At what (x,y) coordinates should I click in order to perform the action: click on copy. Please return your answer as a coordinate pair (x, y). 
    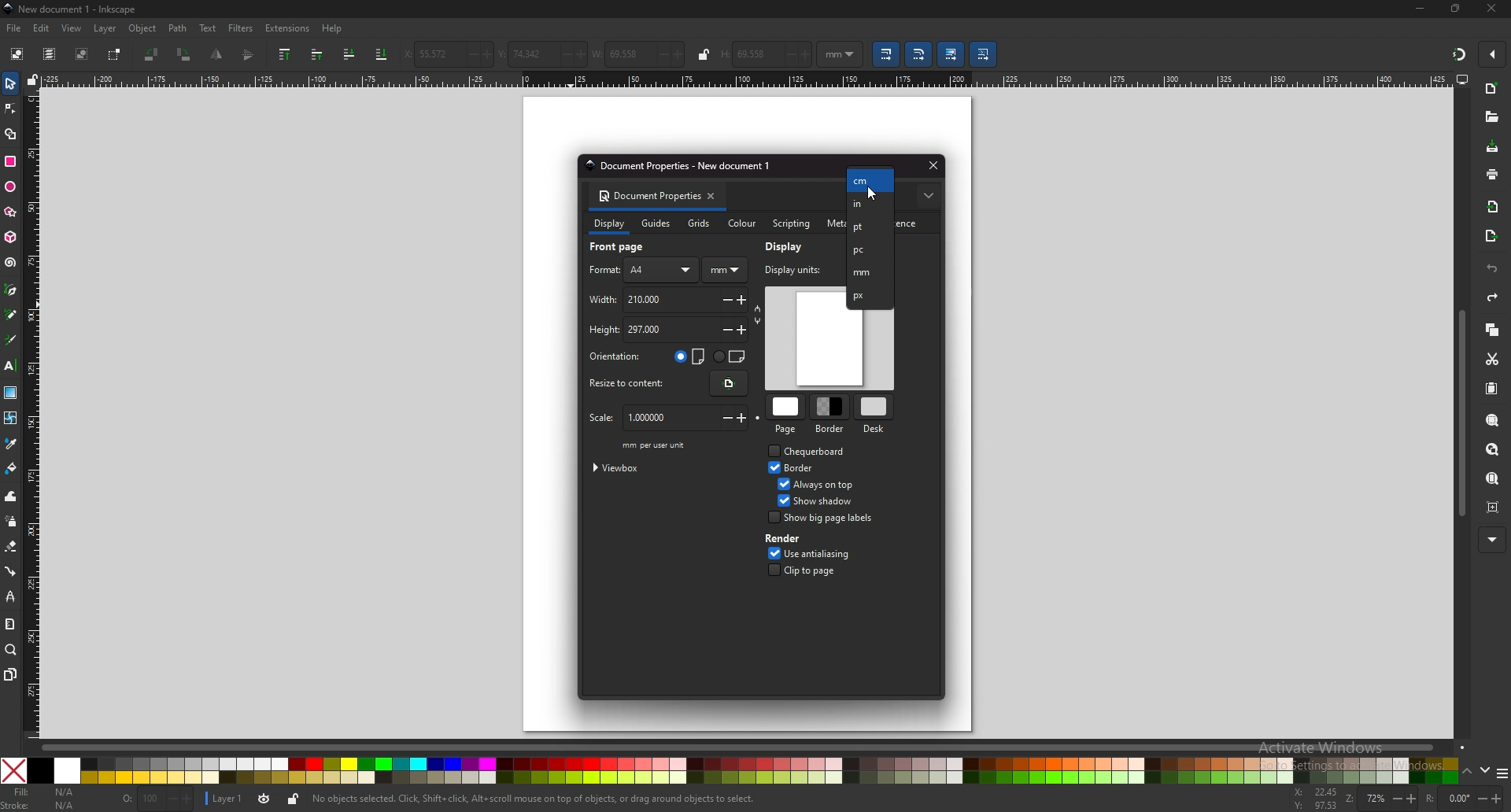
    Looking at the image, I should click on (1493, 330).